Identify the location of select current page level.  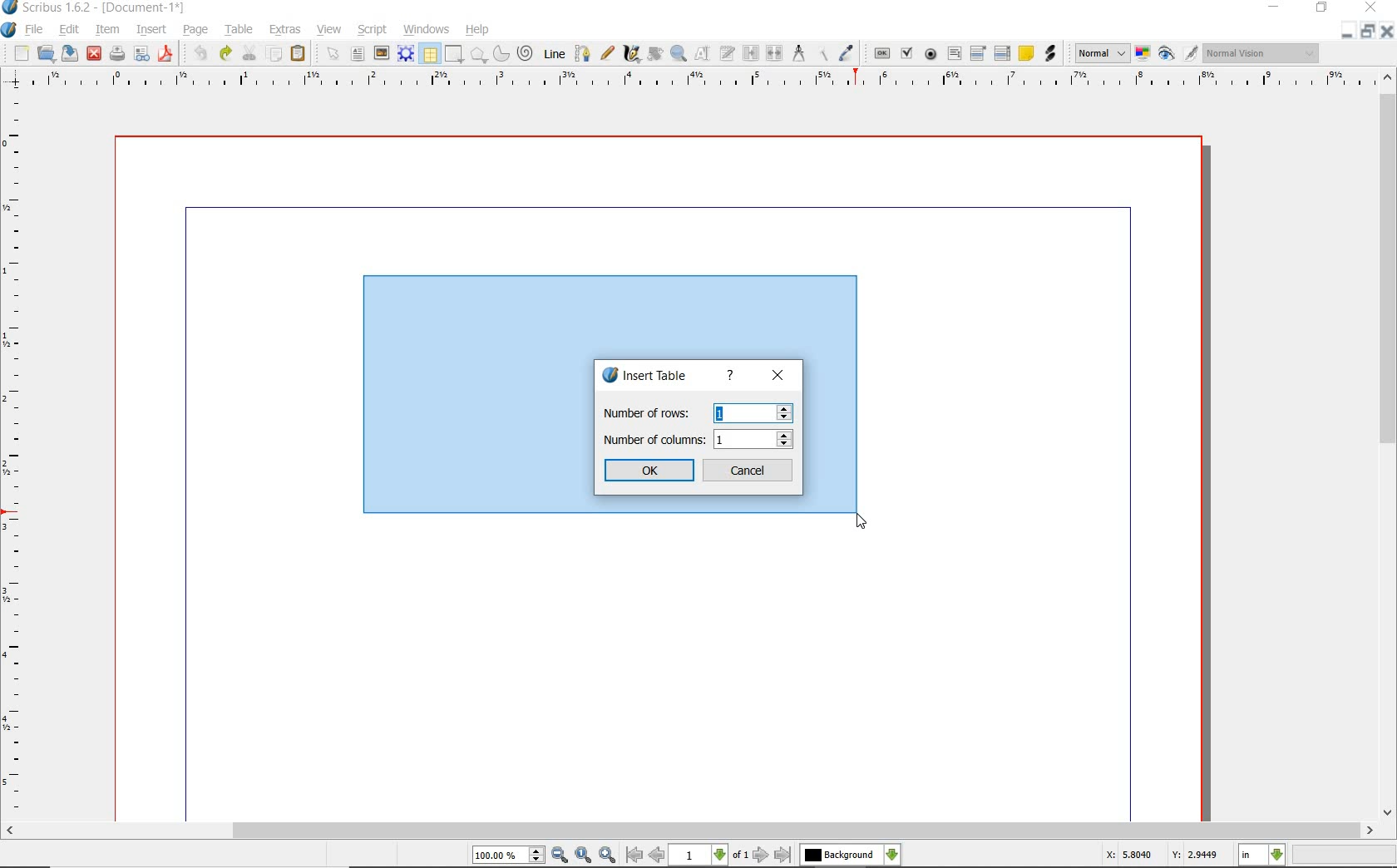
(709, 855).